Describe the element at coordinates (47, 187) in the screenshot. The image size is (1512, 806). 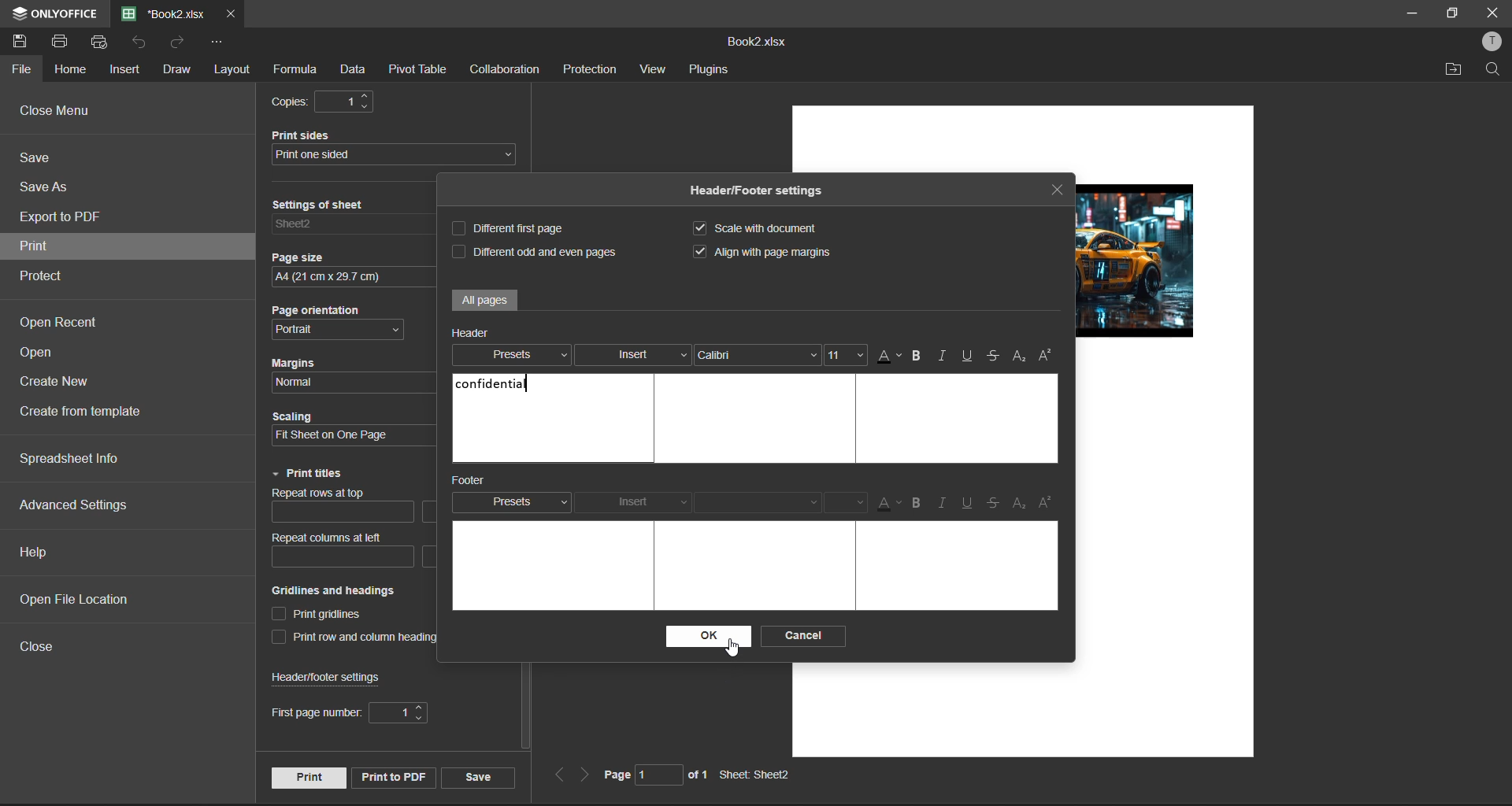
I see `save as` at that location.